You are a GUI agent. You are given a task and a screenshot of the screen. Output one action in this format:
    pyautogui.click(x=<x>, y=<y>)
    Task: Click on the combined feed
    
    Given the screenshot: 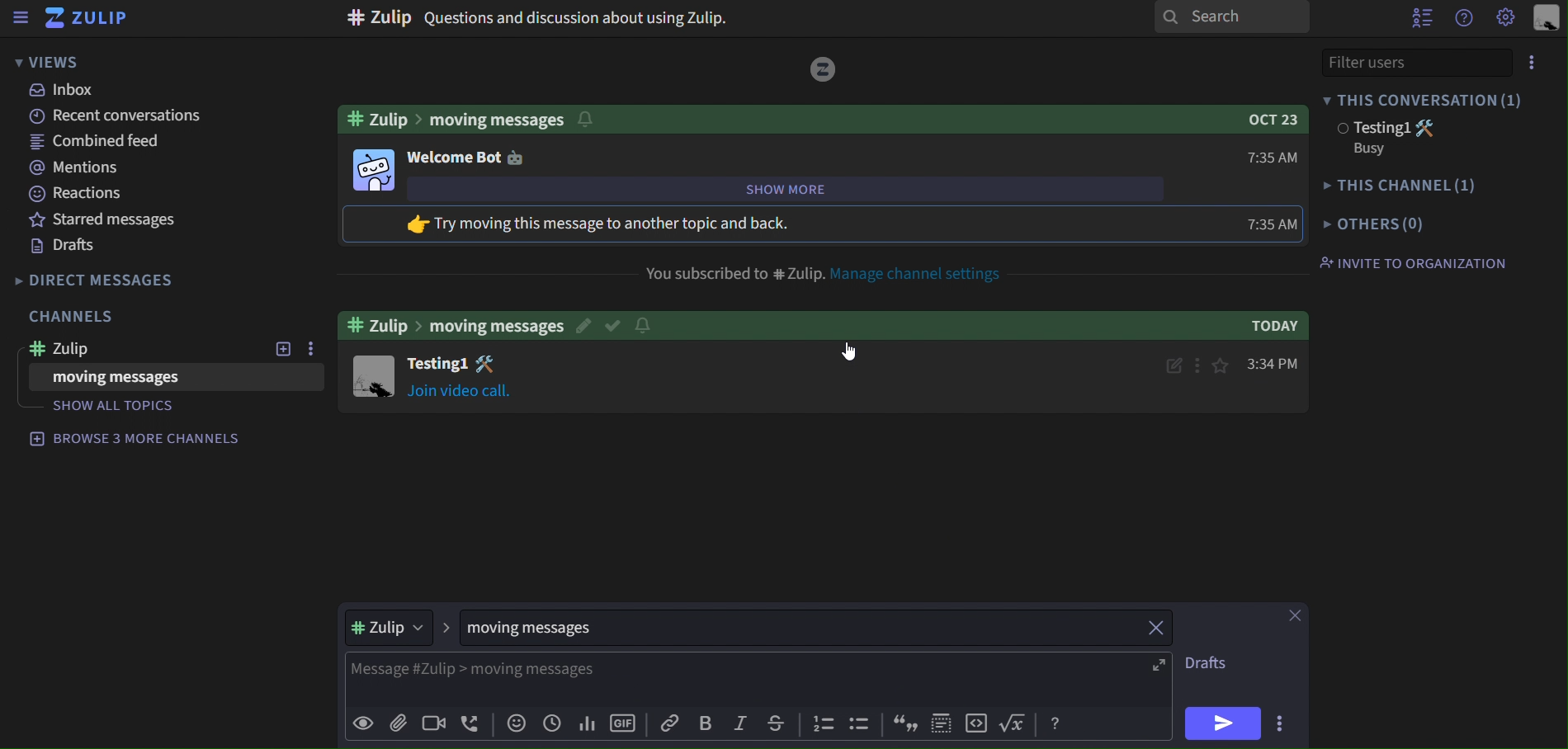 What is the action you would take?
    pyautogui.click(x=95, y=142)
    